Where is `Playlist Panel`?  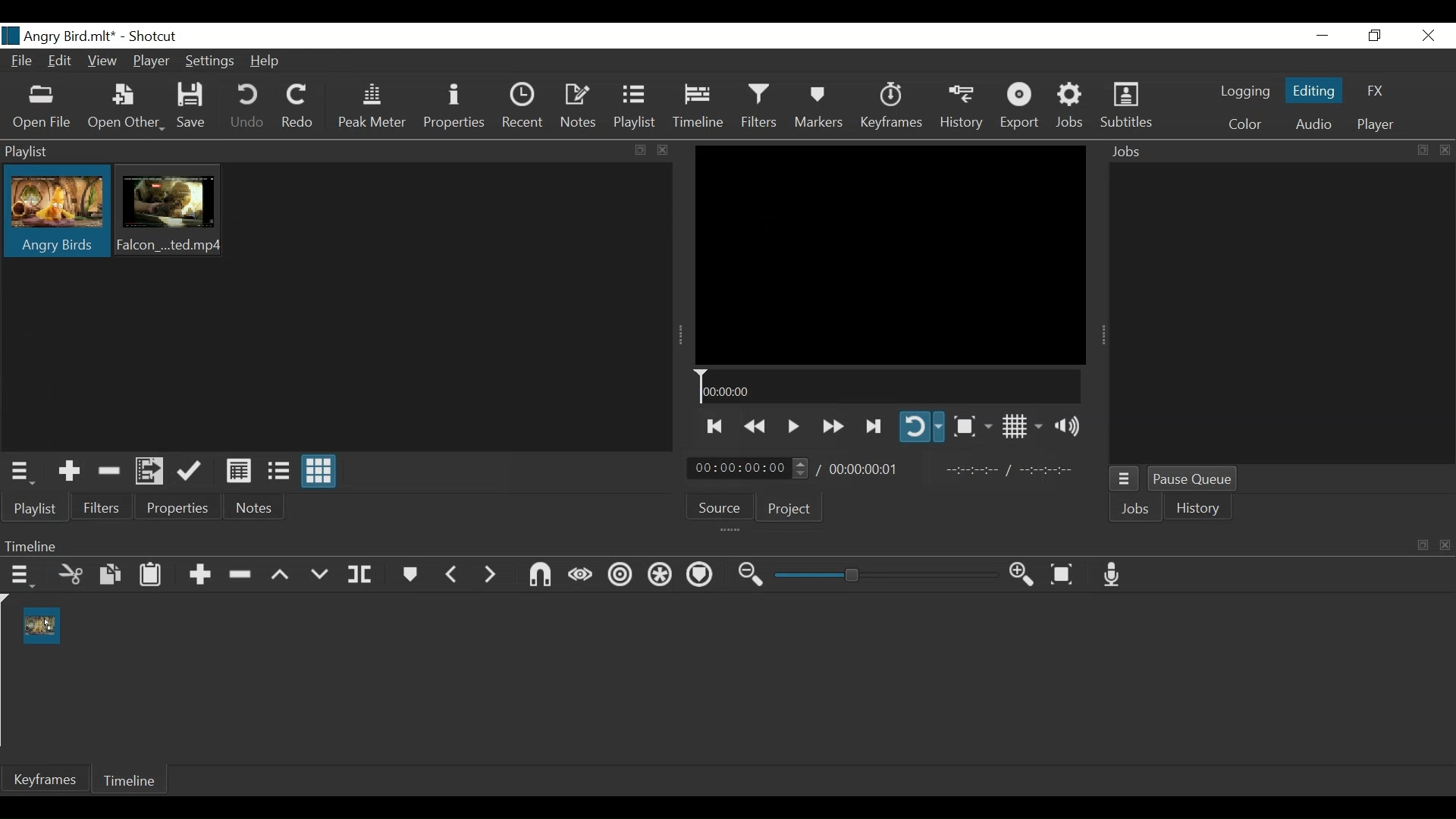
Playlist Panel is located at coordinates (333, 152).